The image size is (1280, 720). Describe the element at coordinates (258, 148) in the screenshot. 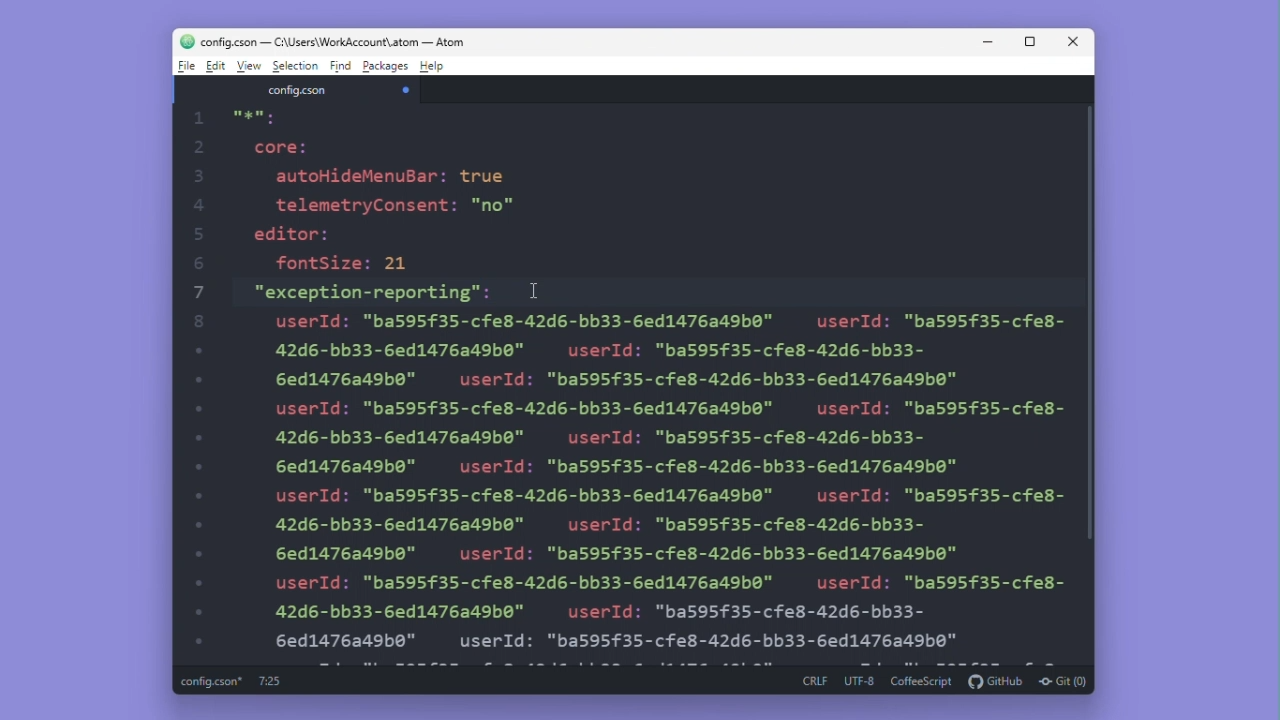

I see `2 core:` at that location.